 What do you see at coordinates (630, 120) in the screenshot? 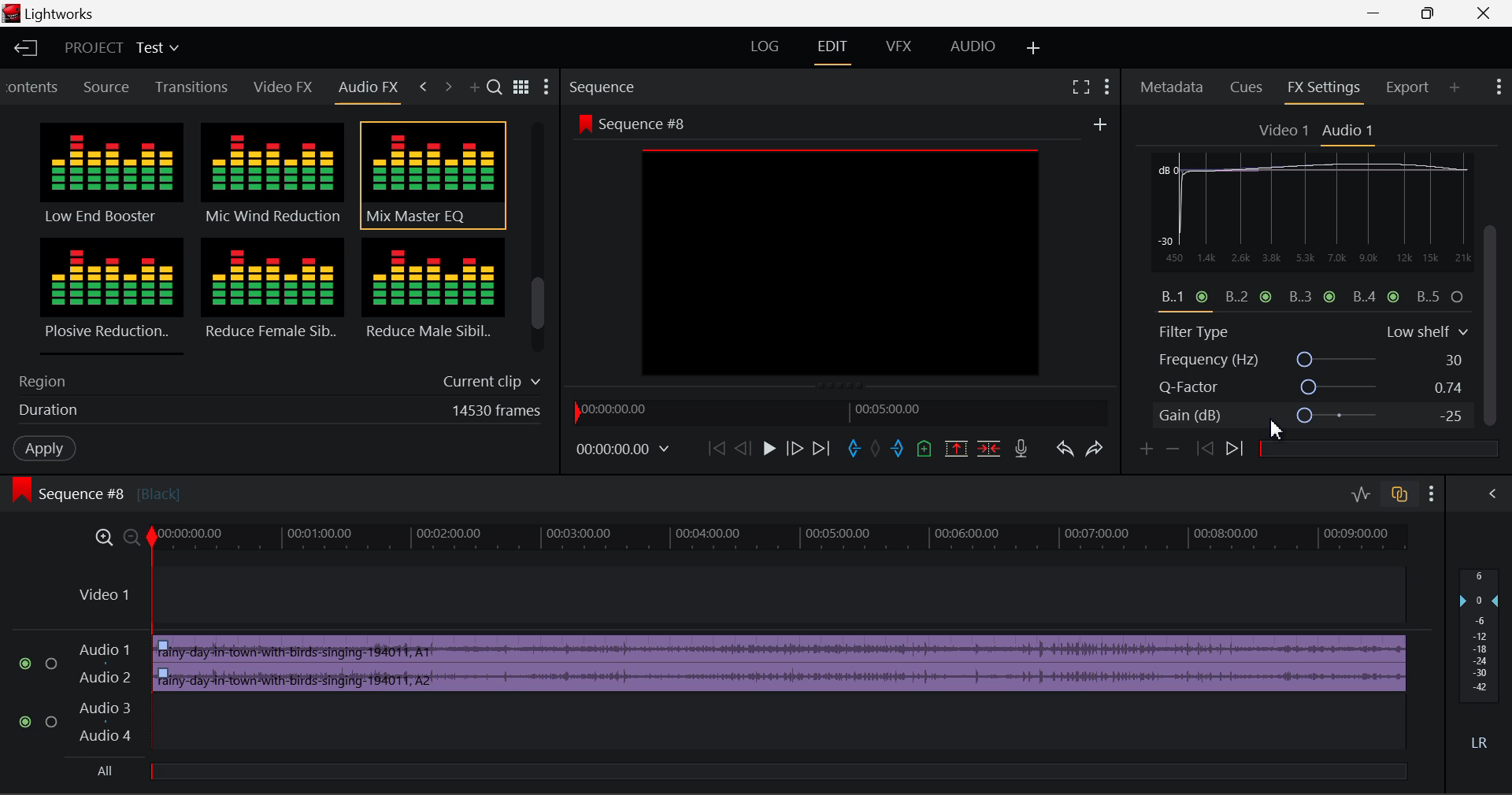
I see `Sequence #8 ` at bounding box center [630, 120].